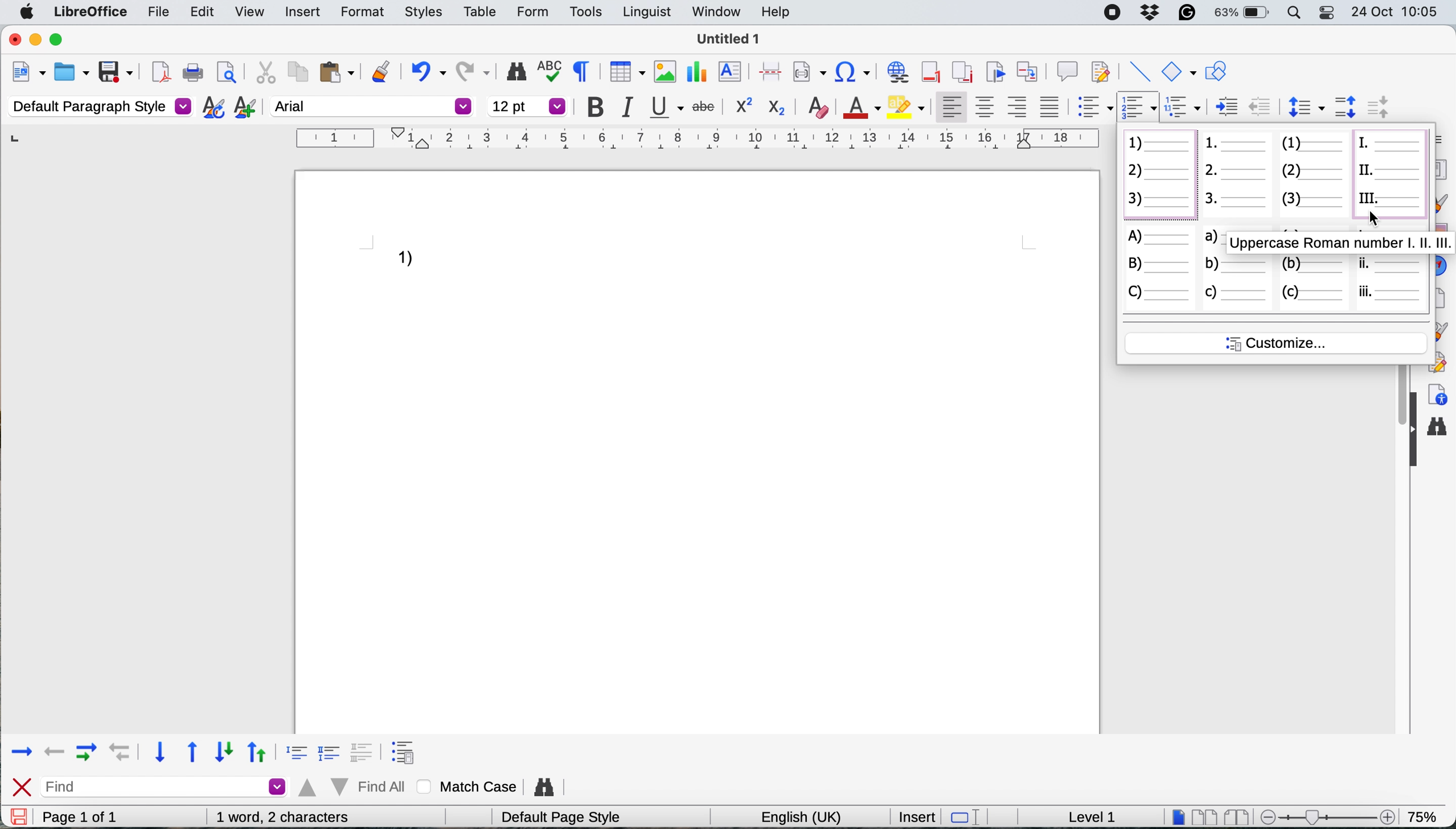 This screenshot has width=1456, height=829. Describe the element at coordinates (528, 106) in the screenshot. I see `font size` at that location.